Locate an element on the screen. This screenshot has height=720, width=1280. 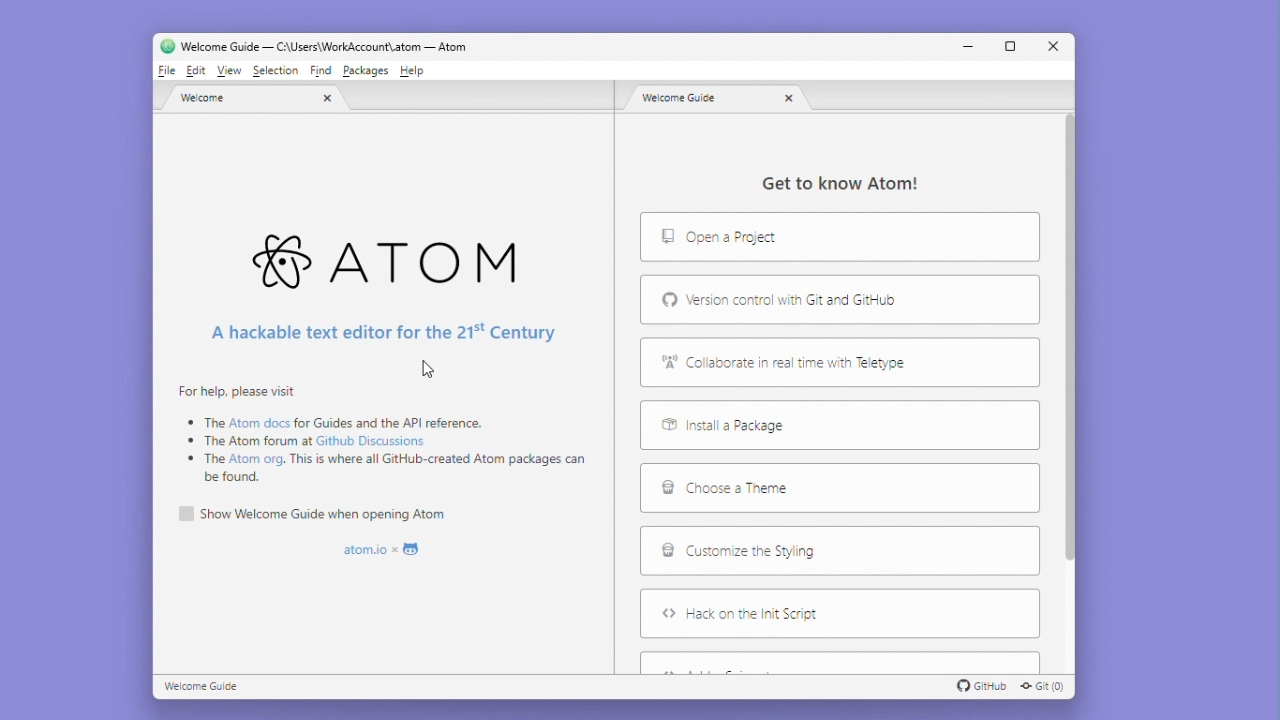
Hack on the init script is located at coordinates (825, 615).